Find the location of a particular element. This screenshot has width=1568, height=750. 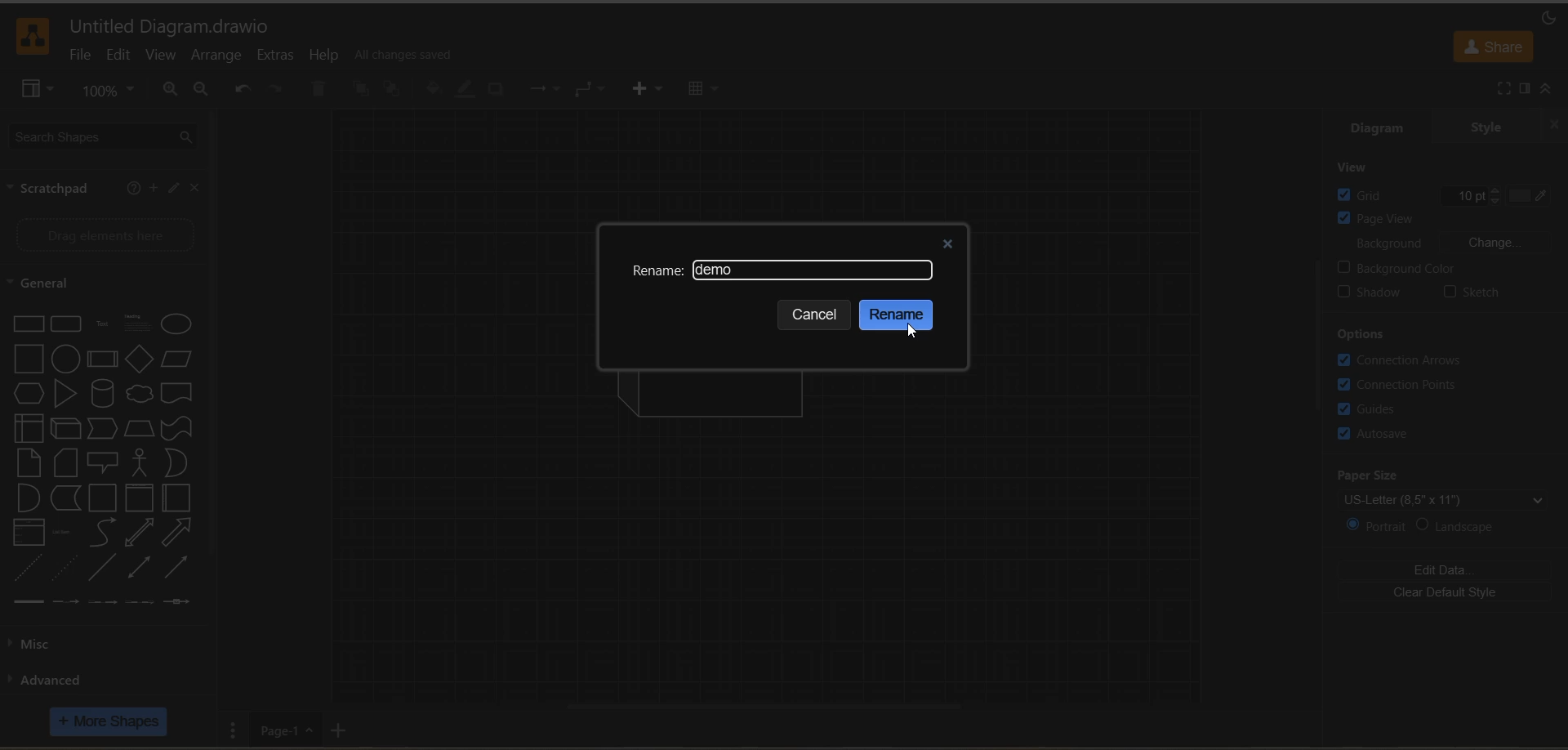

fill color is located at coordinates (436, 89).